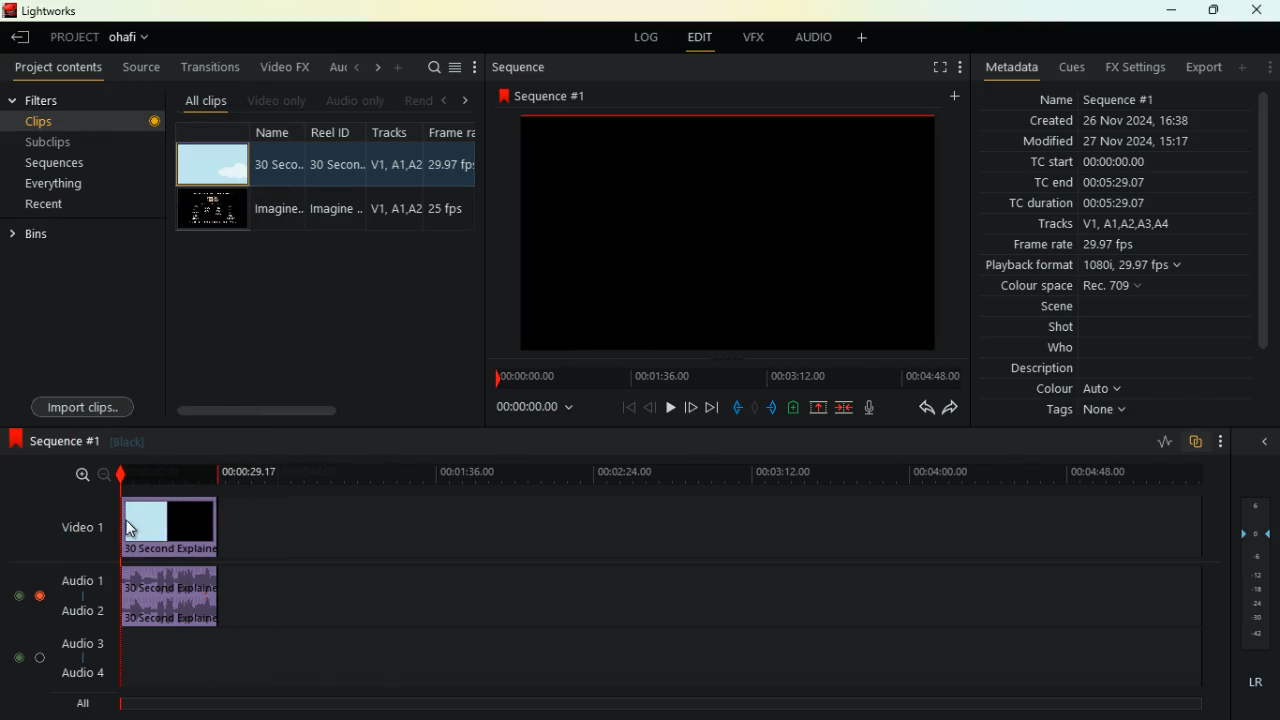 This screenshot has height=720, width=1280. Describe the element at coordinates (920, 407) in the screenshot. I see `back` at that location.